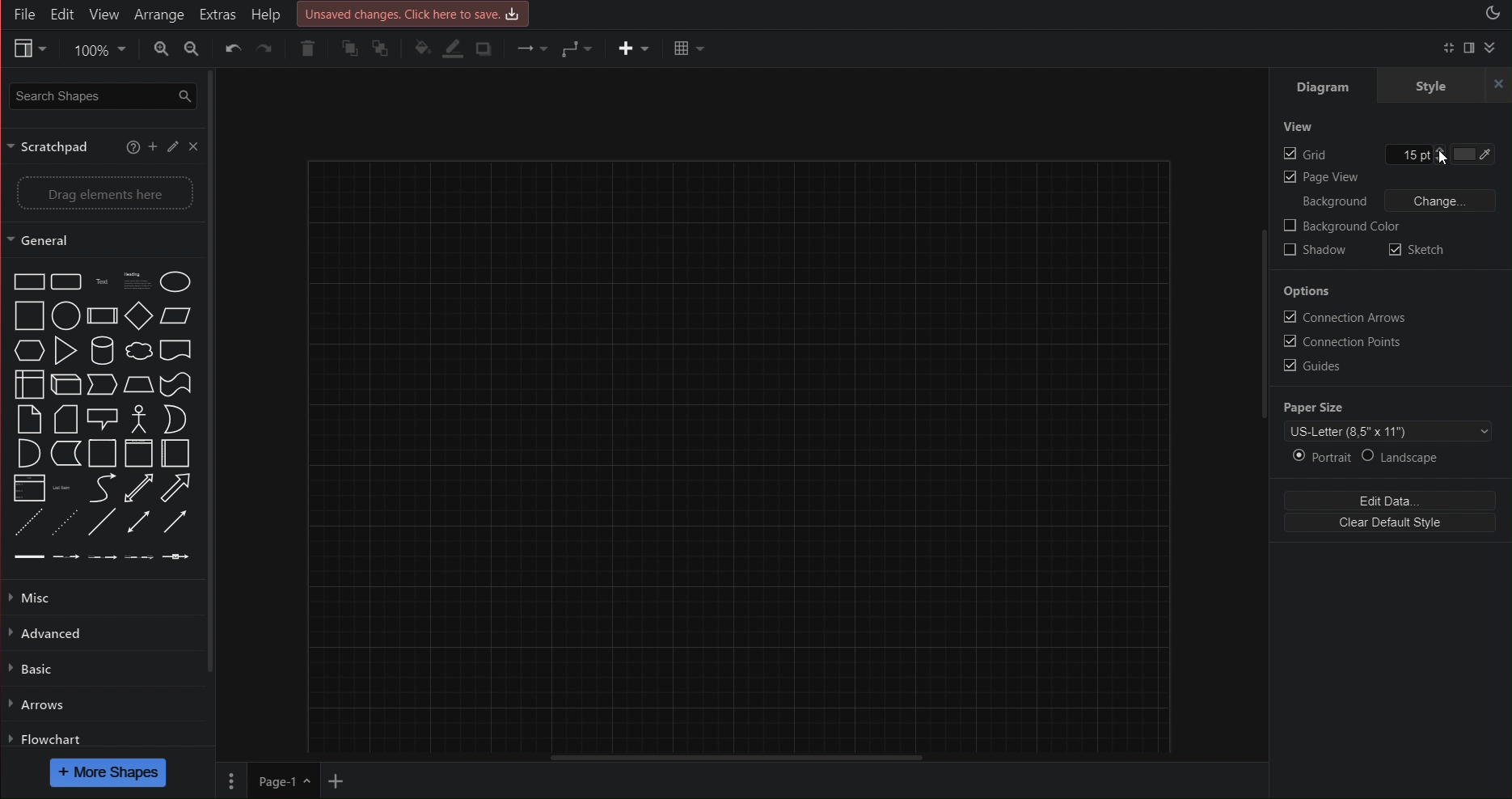 Image resolution: width=1512 pixels, height=799 pixels. What do you see at coordinates (1338, 315) in the screenshot?
I see `Connection Arrows` at bounding box center [1338, 315].